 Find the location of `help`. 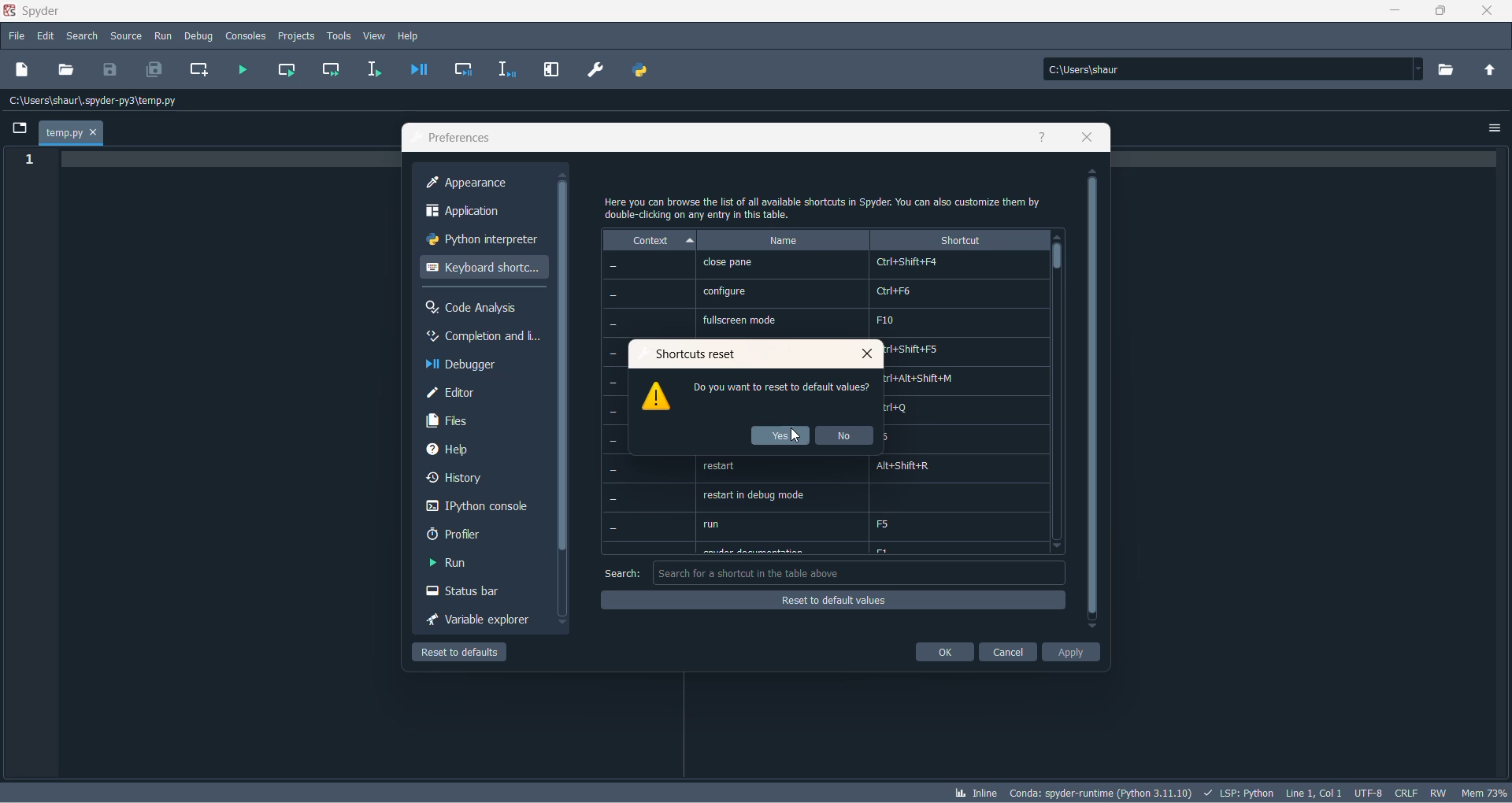

help is located at coordinates (474, 452).